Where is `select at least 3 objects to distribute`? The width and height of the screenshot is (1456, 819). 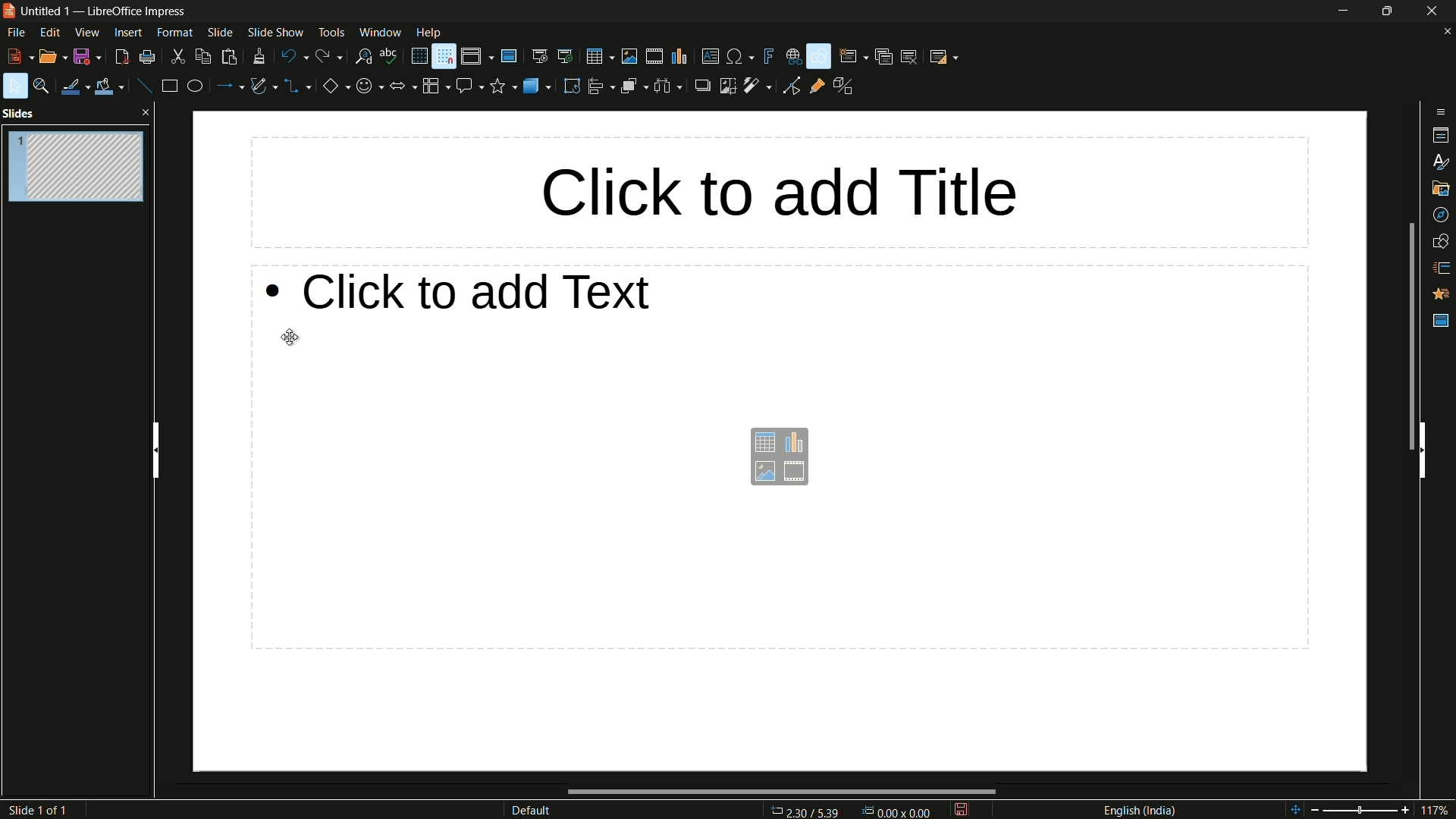 select at least 3 objects to distribute is located at coordinates (667, 86).